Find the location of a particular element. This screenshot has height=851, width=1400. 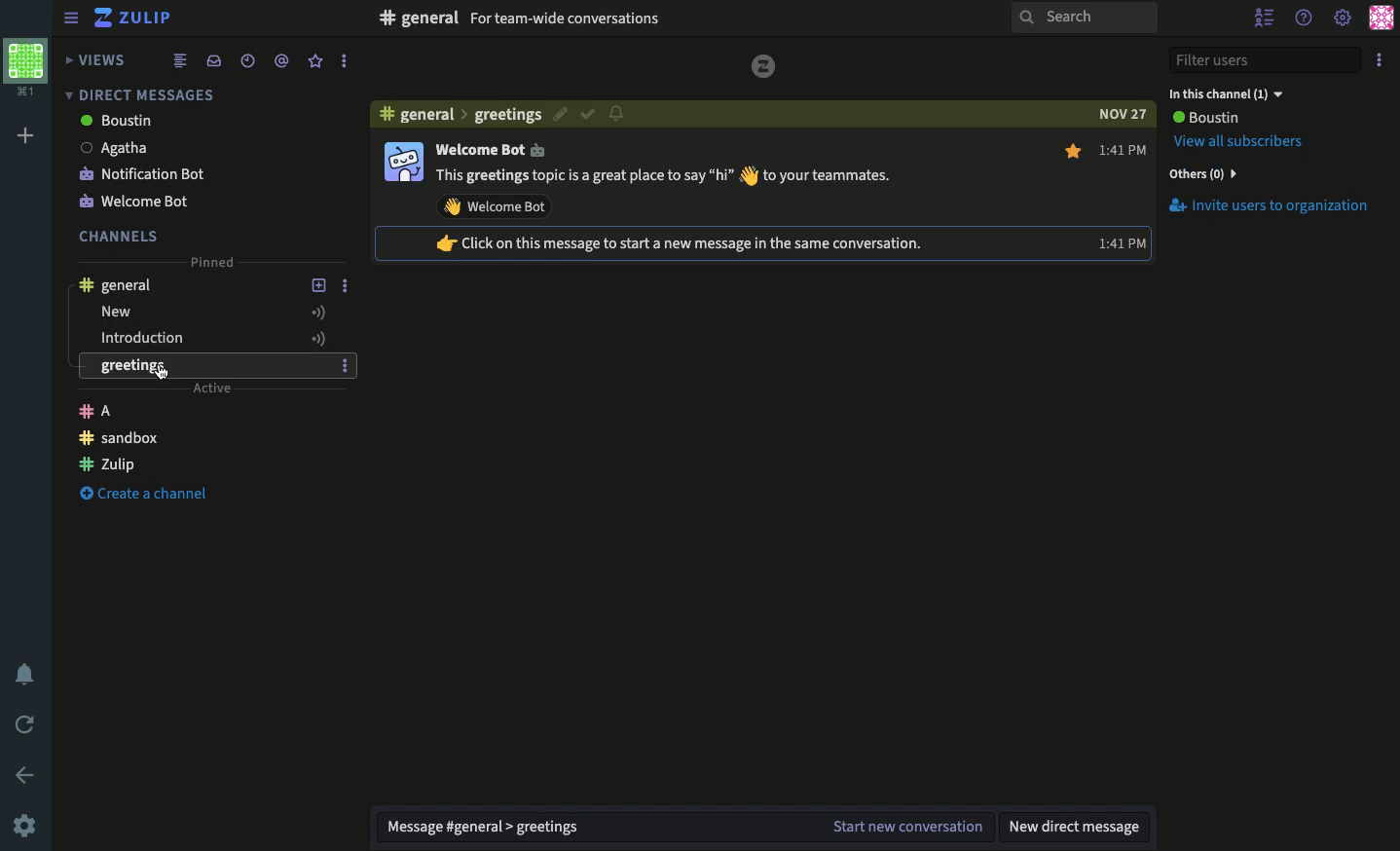

Active is located at coordinates (317, 339).